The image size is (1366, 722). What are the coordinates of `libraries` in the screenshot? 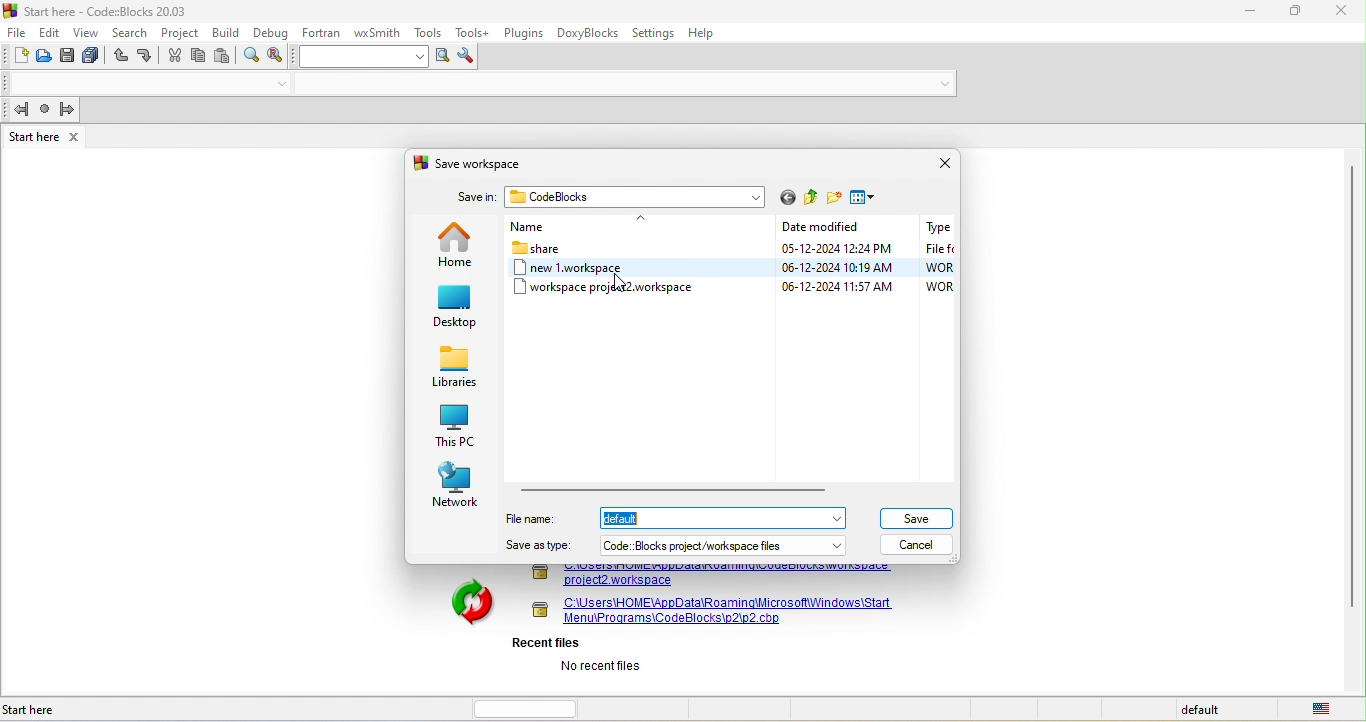 It's located at (455, 369).